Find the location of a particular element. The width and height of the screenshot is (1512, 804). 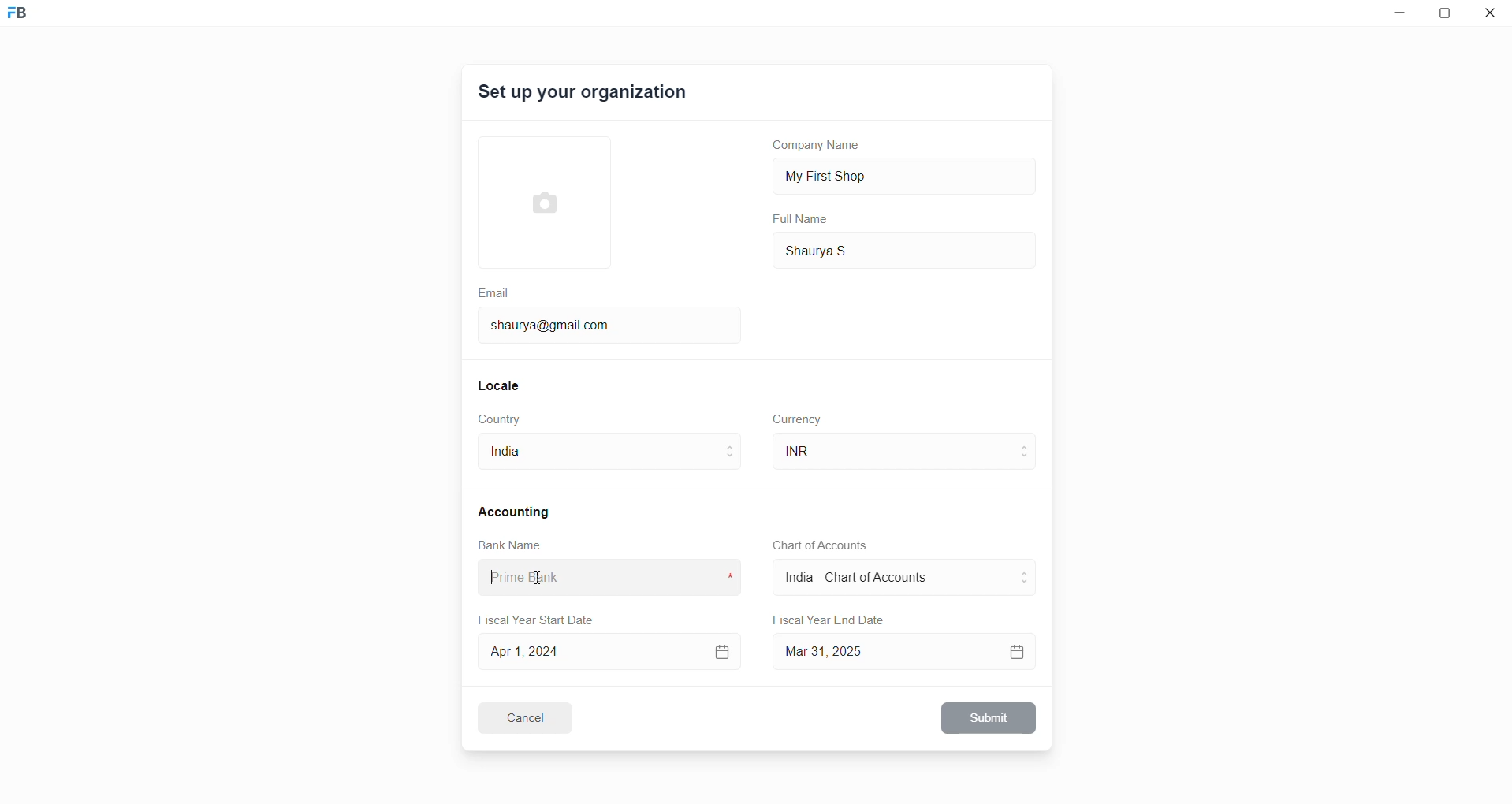

Email is located at coordinates (496, 291).